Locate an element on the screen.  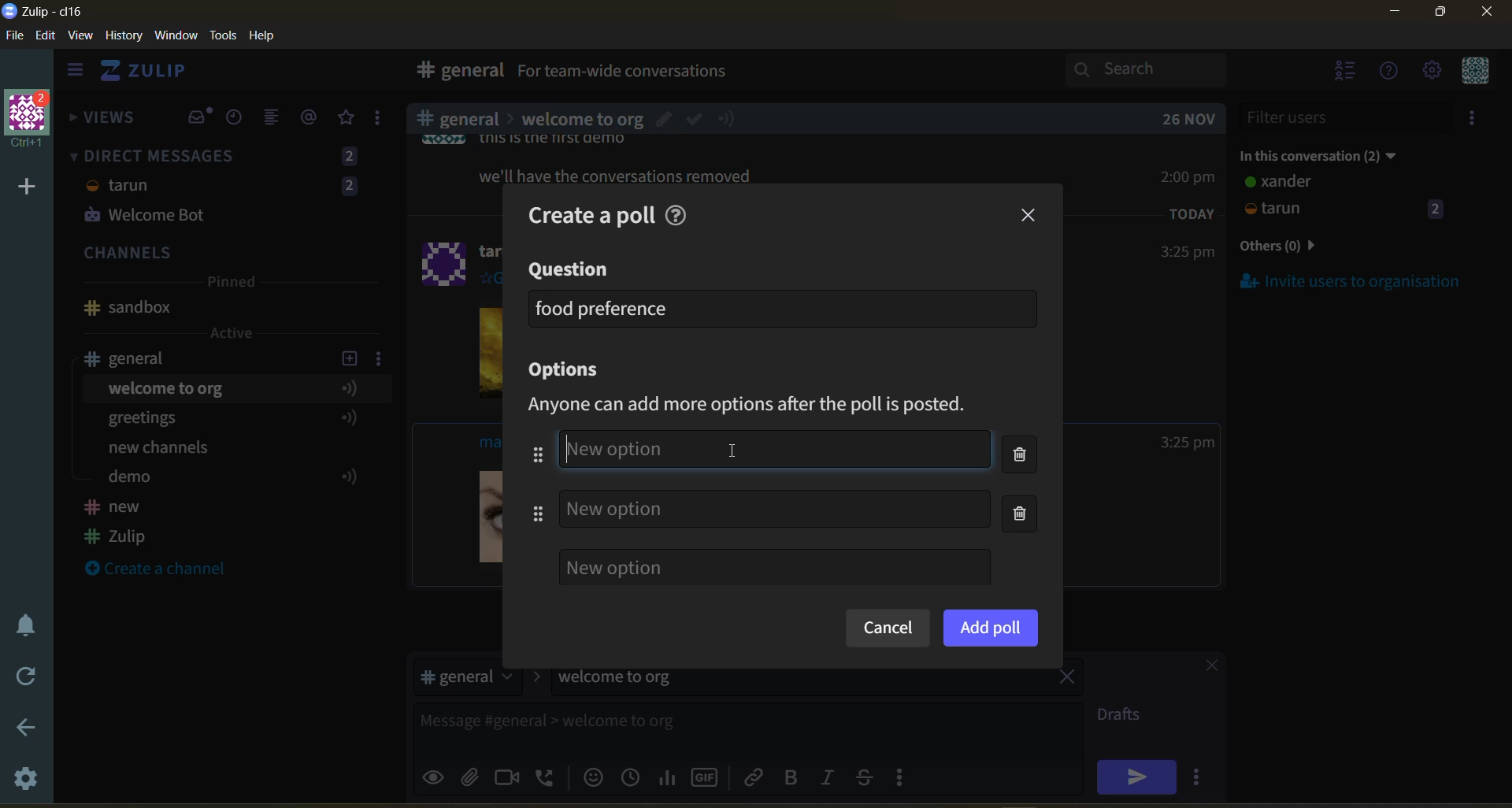
food preference is located at coordinates (603, 308).